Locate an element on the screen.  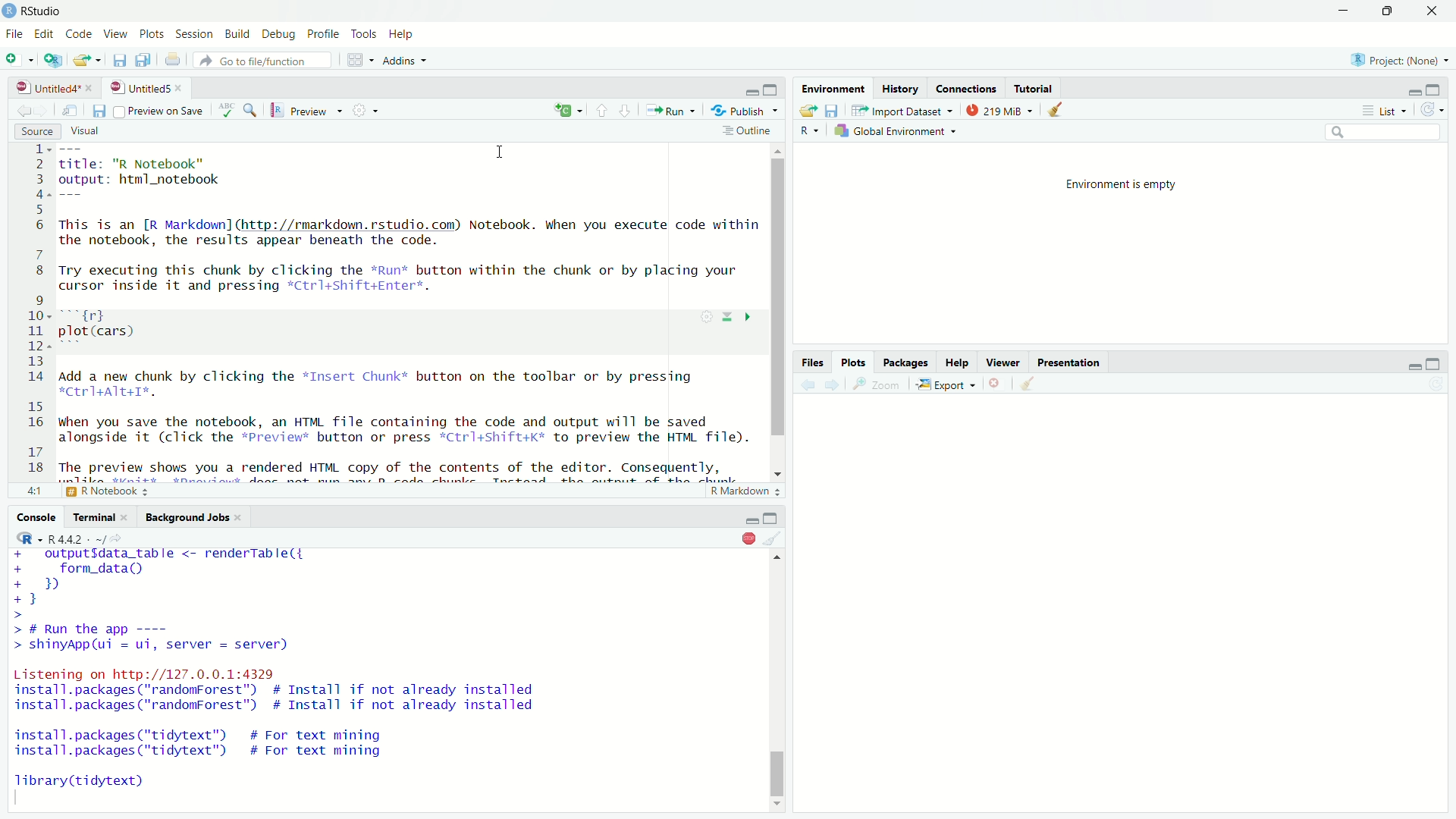
save all open documents is located at coordinates (144, 60).